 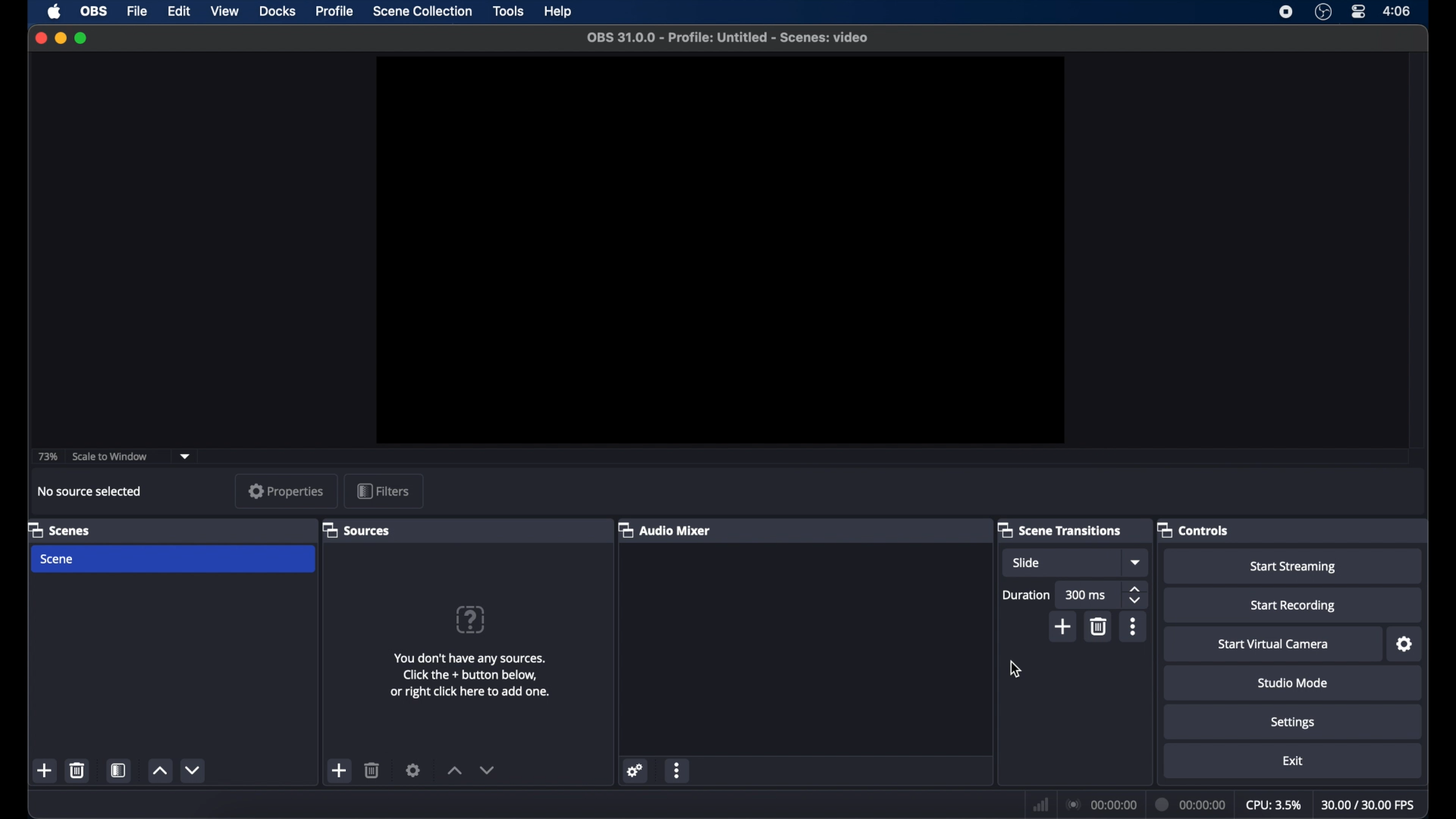 I want to click on delete, so click(x=372, y=770).